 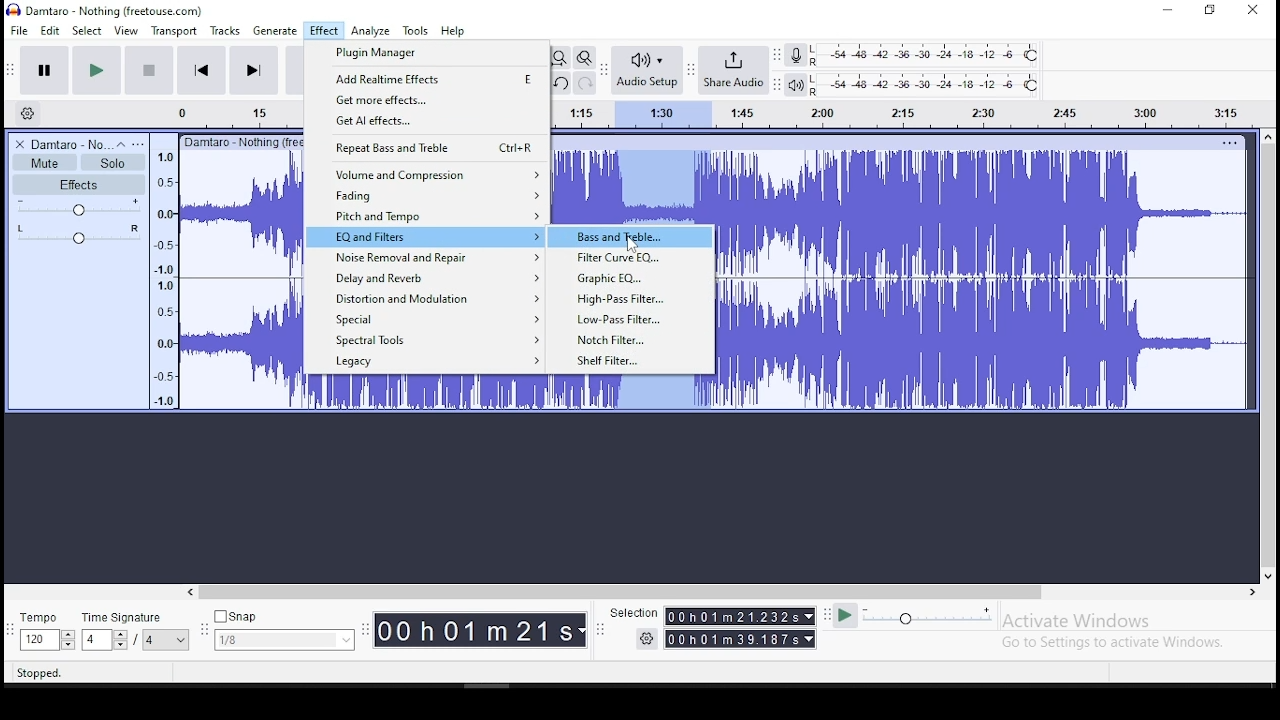 What do you see at coordinates (203, 629) in the screenshot?
I see `` at bounding box center [203, 629].